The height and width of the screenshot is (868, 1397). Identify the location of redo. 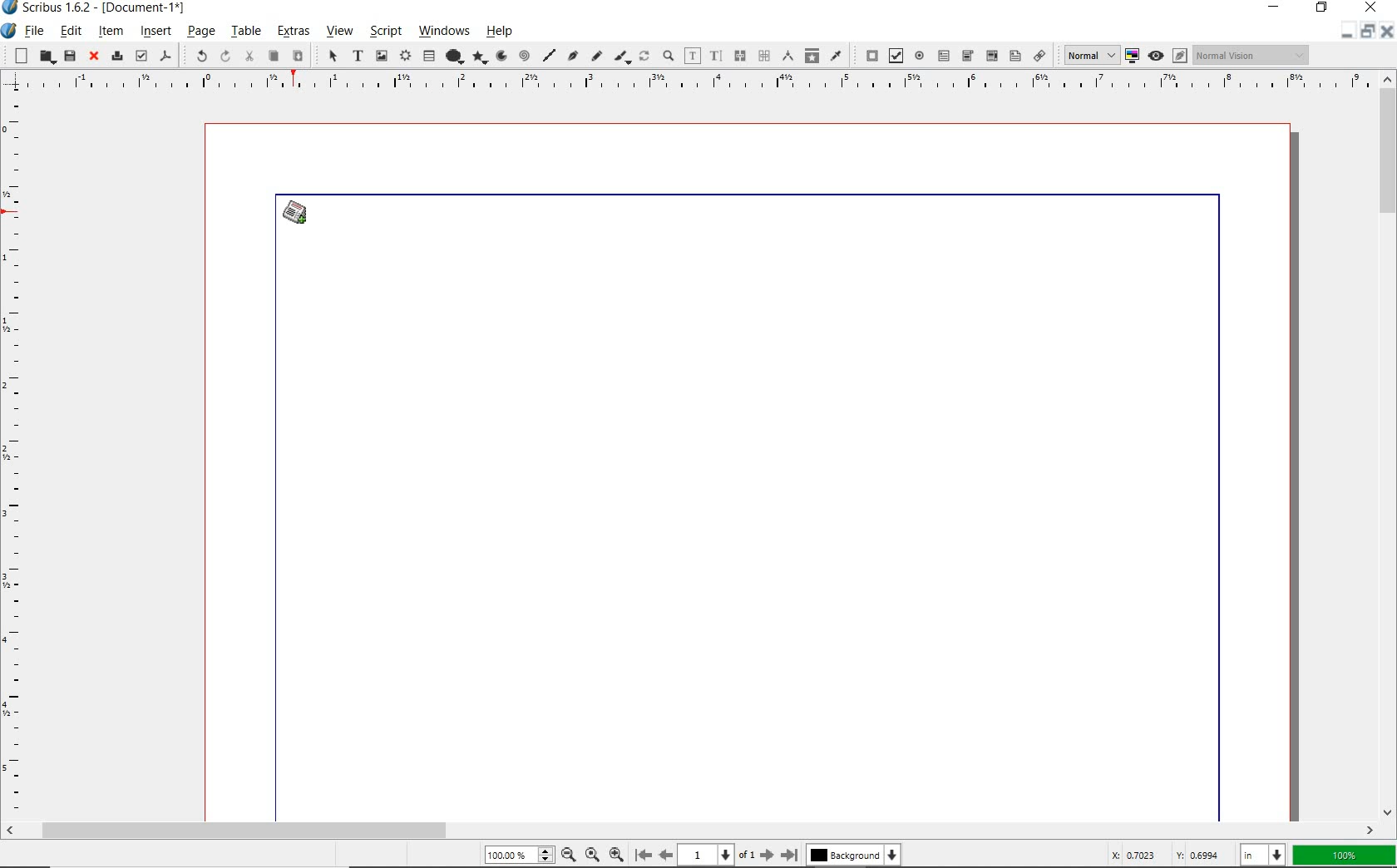
(225, 56).